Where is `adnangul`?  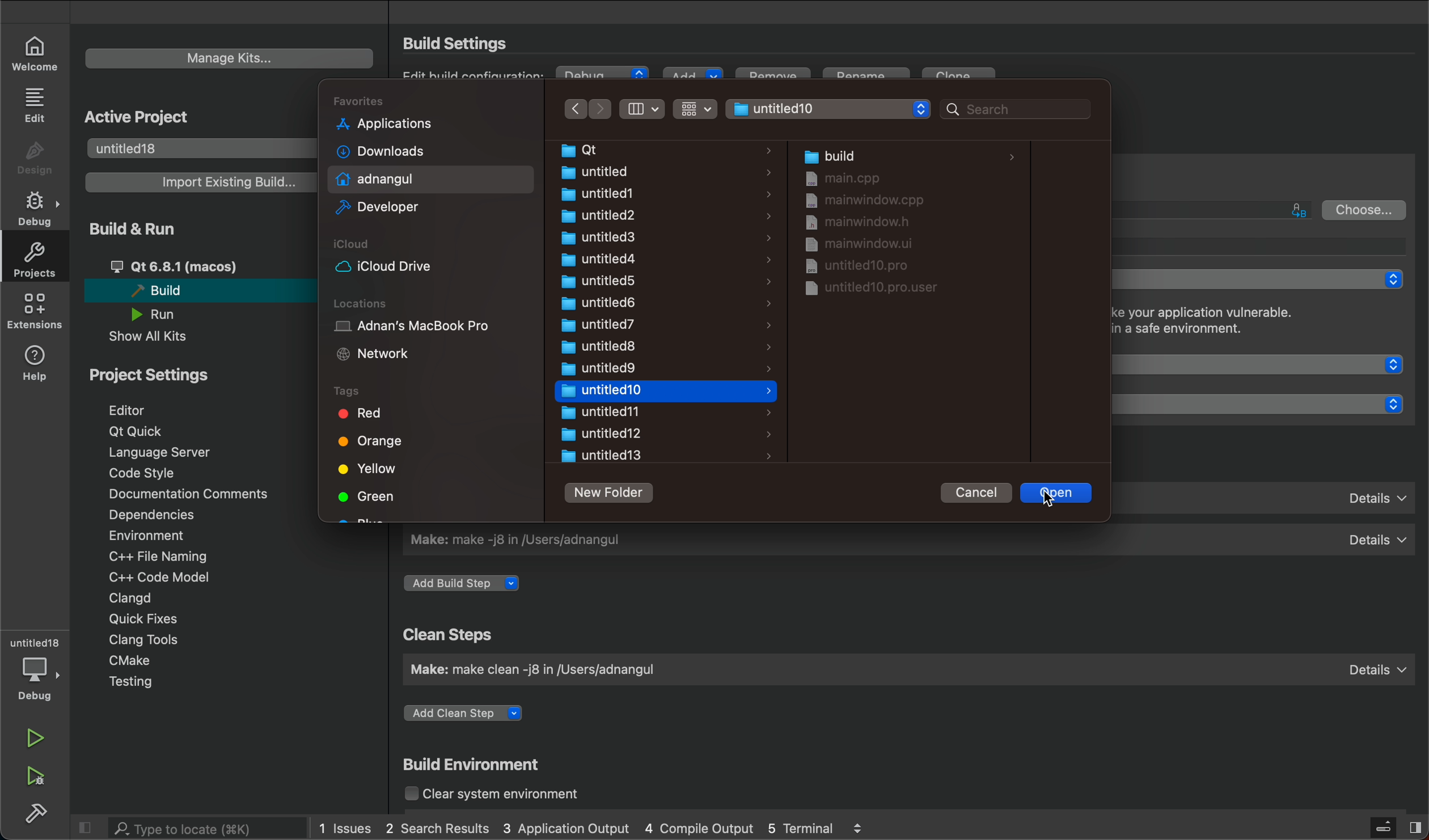
adnangul is located at coordinates (378, 177).